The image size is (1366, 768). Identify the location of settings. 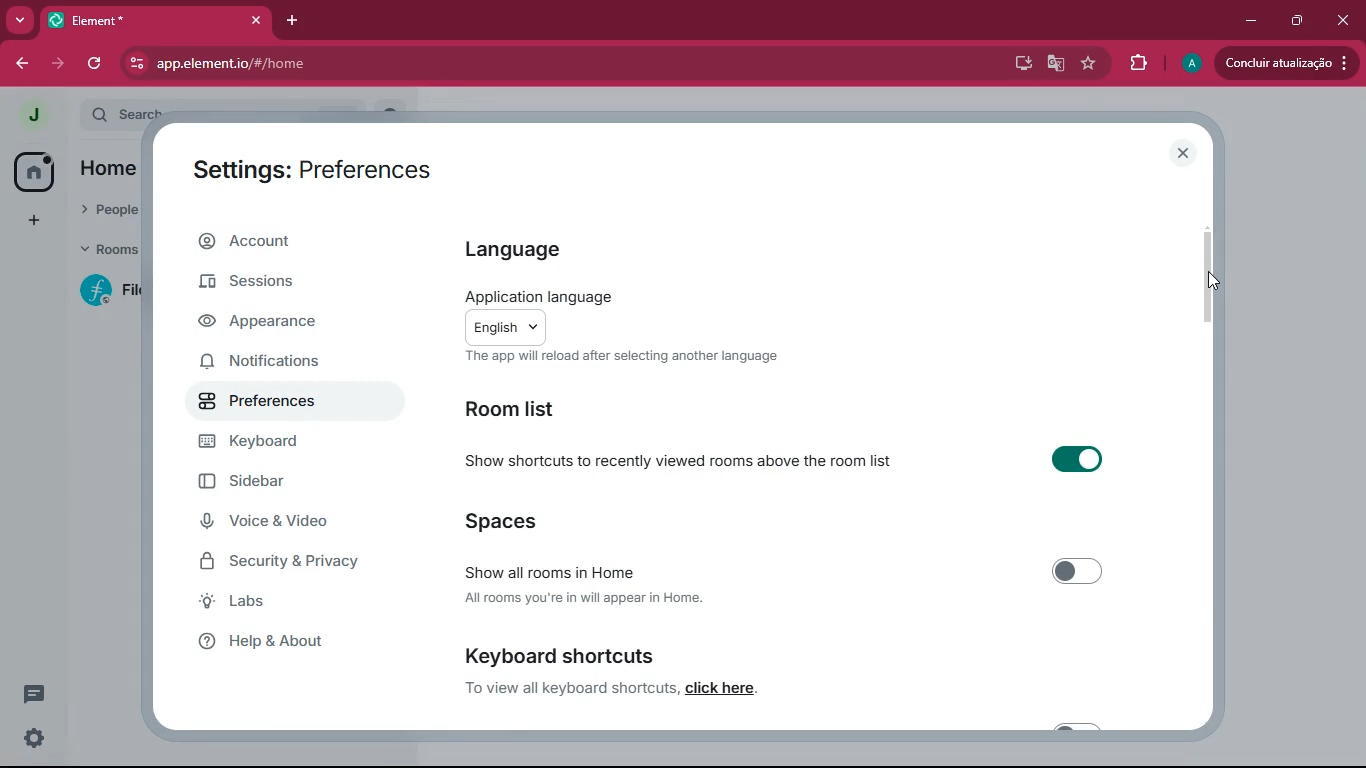
(35, 739).